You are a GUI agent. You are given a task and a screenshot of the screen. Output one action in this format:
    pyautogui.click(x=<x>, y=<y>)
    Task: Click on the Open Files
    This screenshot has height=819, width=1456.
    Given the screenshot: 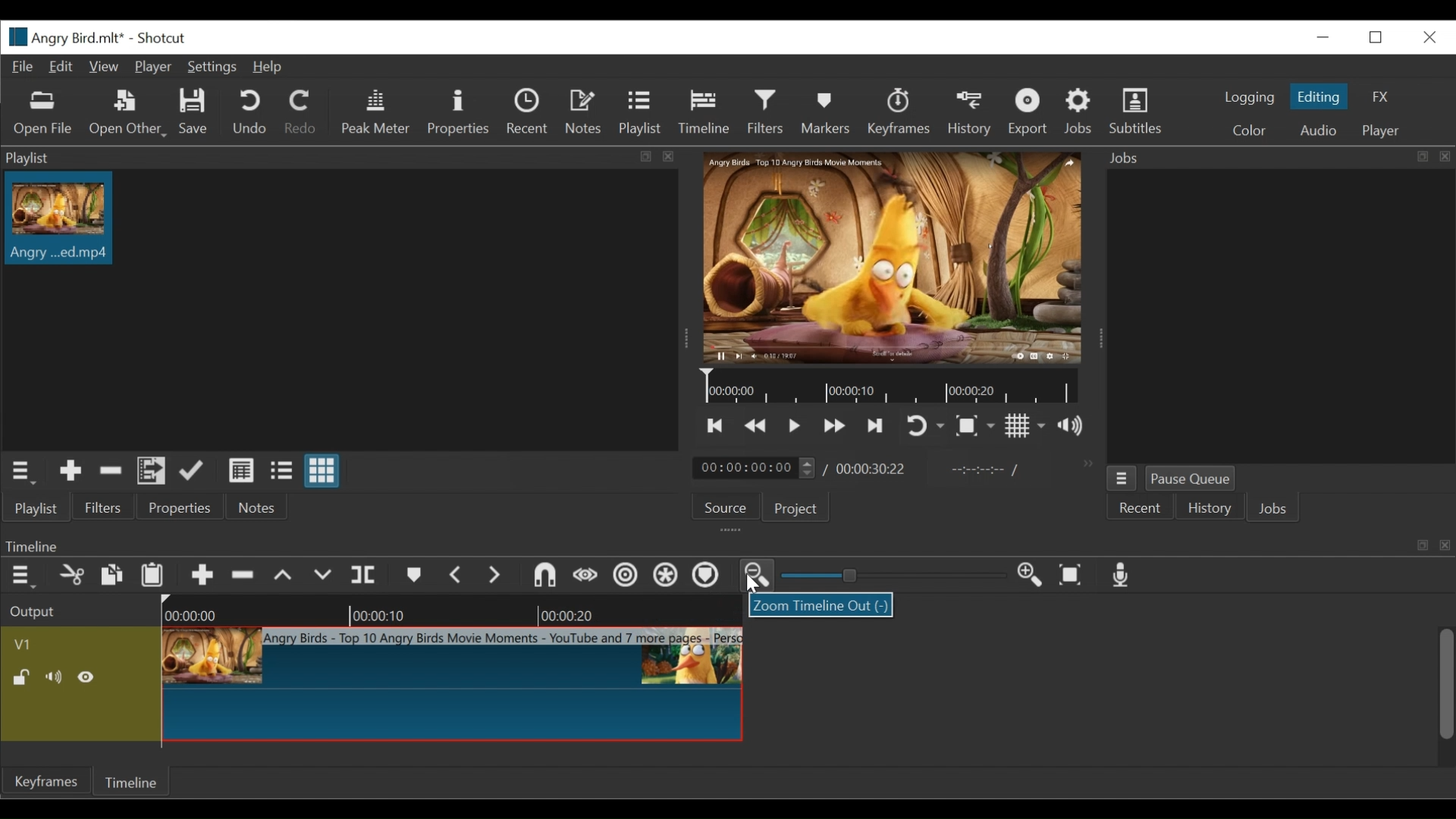 What is the action you would take?
    pyautogui.click(x=44, y=114)
    